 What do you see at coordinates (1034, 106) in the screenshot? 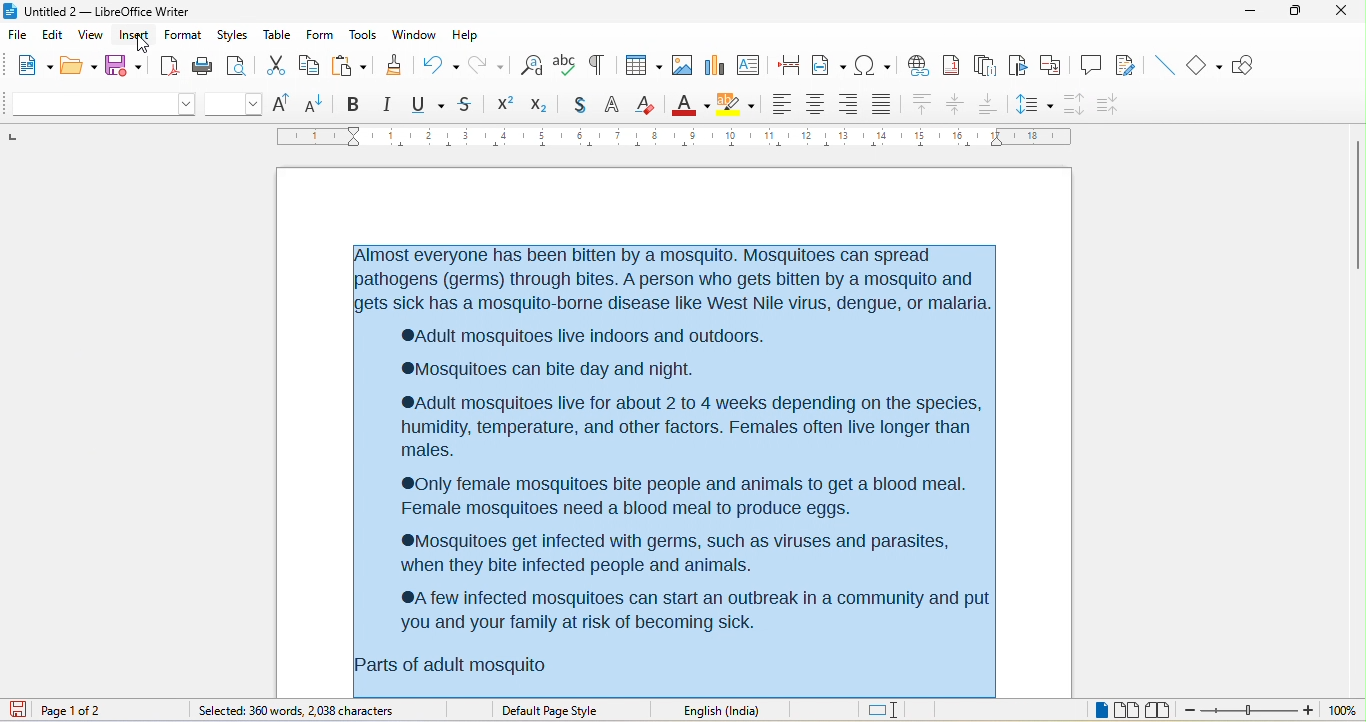
I see `set line spacing` at bounding box center [1034, 106].